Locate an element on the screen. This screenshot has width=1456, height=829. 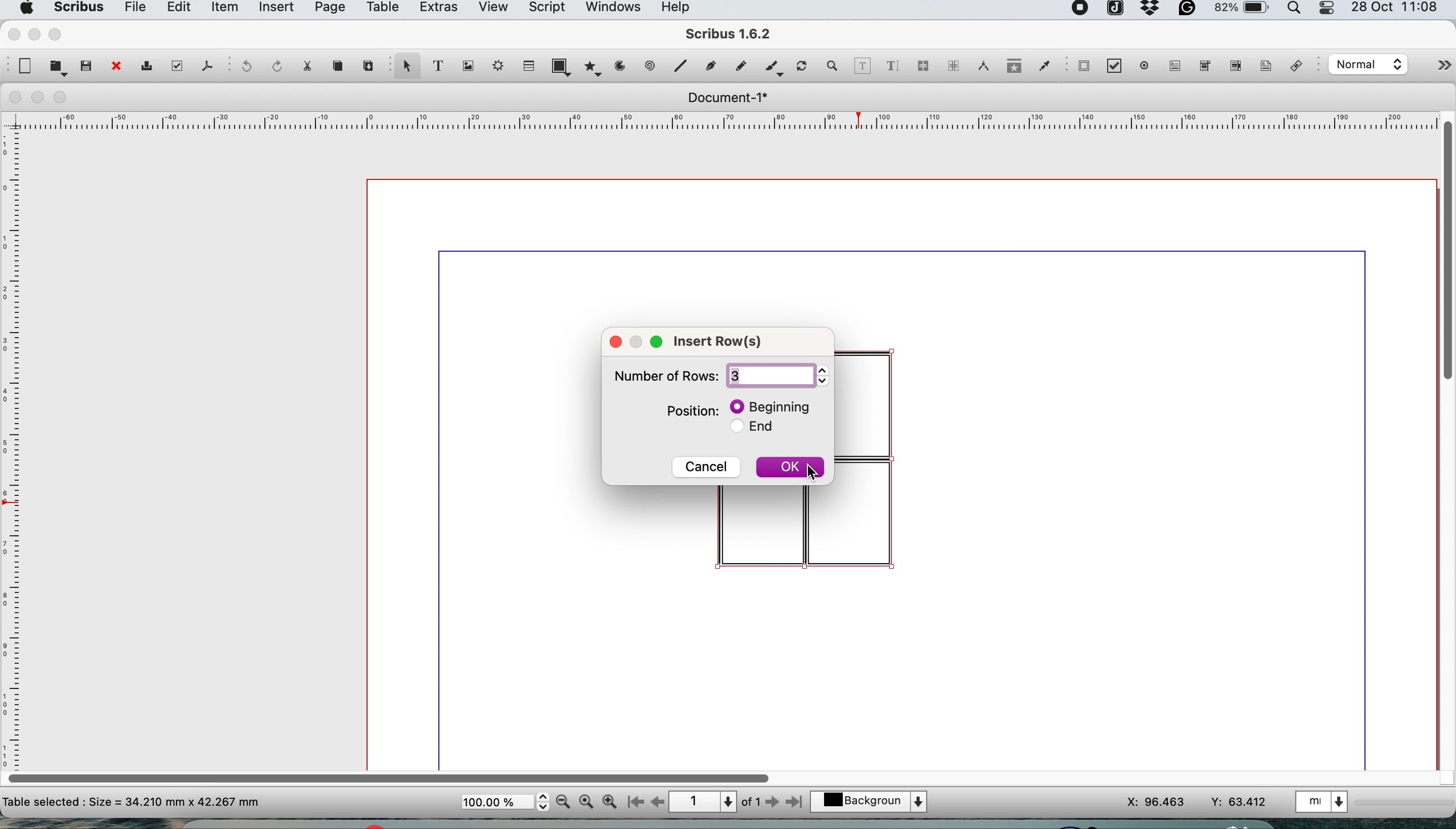
pdf combo box is located at coordinates (1203, 69).